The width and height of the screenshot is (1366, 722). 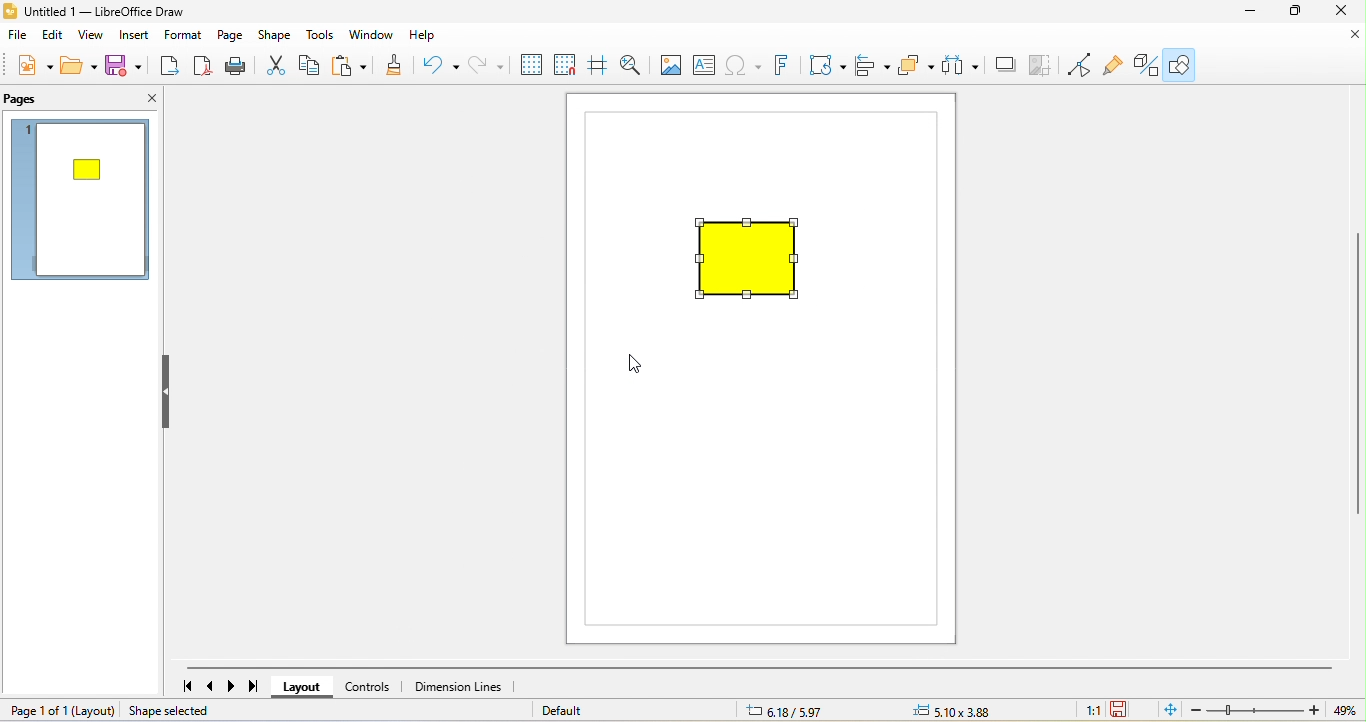 What do you see at coordinates (787, 67) in the screenshot?
I see `fontwork text` at bounding box center [787, 67].